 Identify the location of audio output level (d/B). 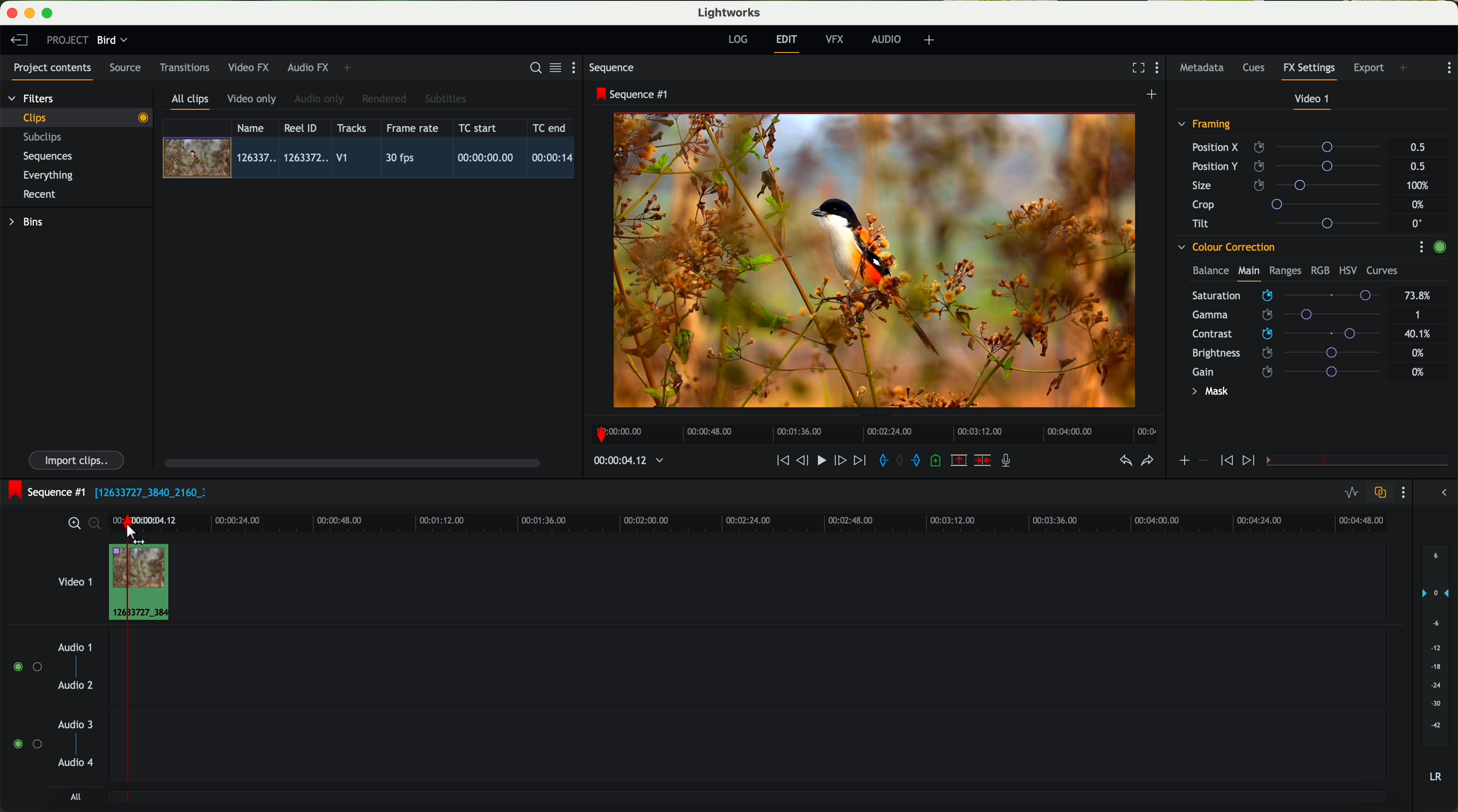
(1436, 667).